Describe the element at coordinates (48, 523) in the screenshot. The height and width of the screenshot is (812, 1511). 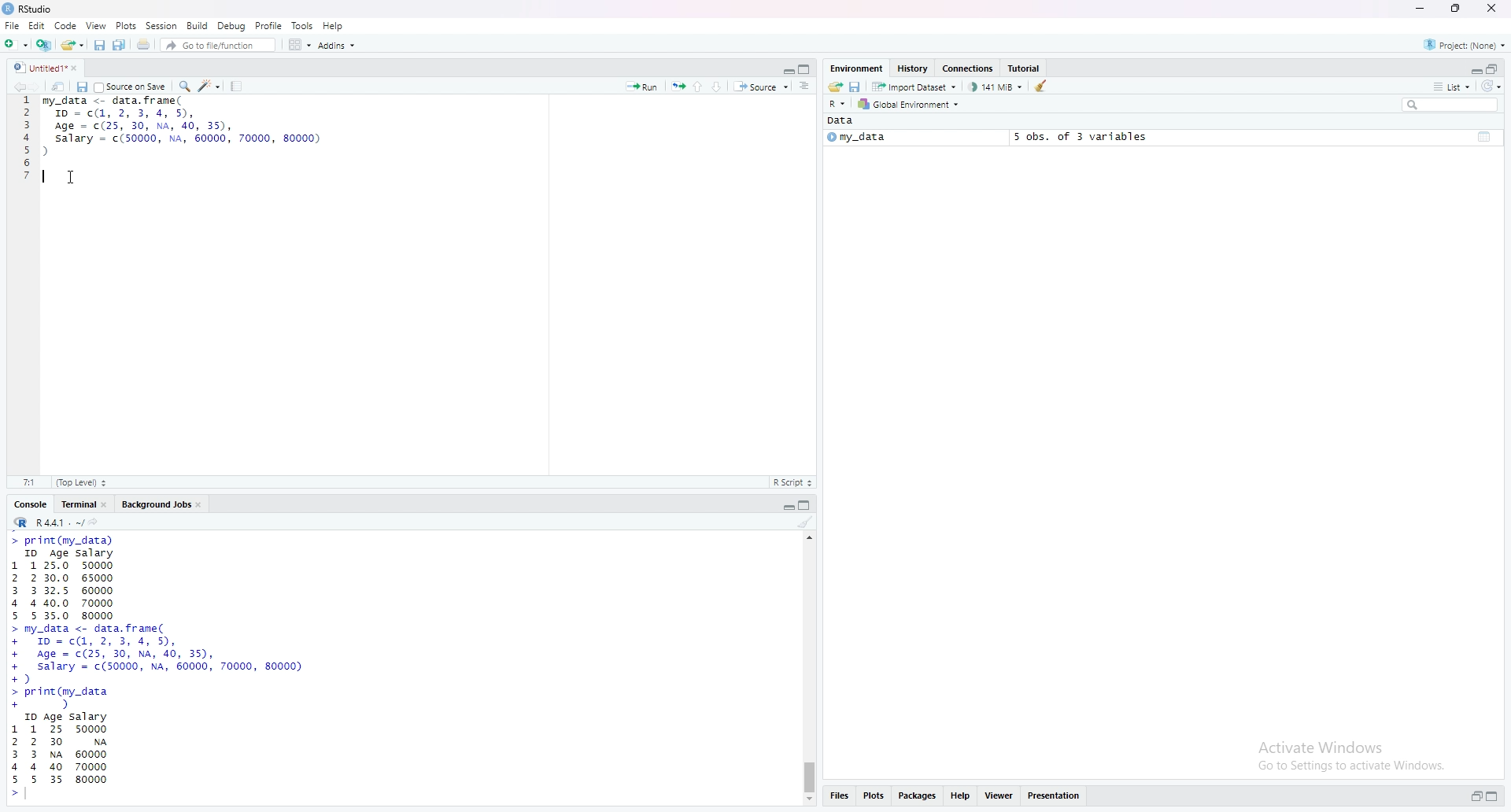
I see `R 4.4.1` at that location.